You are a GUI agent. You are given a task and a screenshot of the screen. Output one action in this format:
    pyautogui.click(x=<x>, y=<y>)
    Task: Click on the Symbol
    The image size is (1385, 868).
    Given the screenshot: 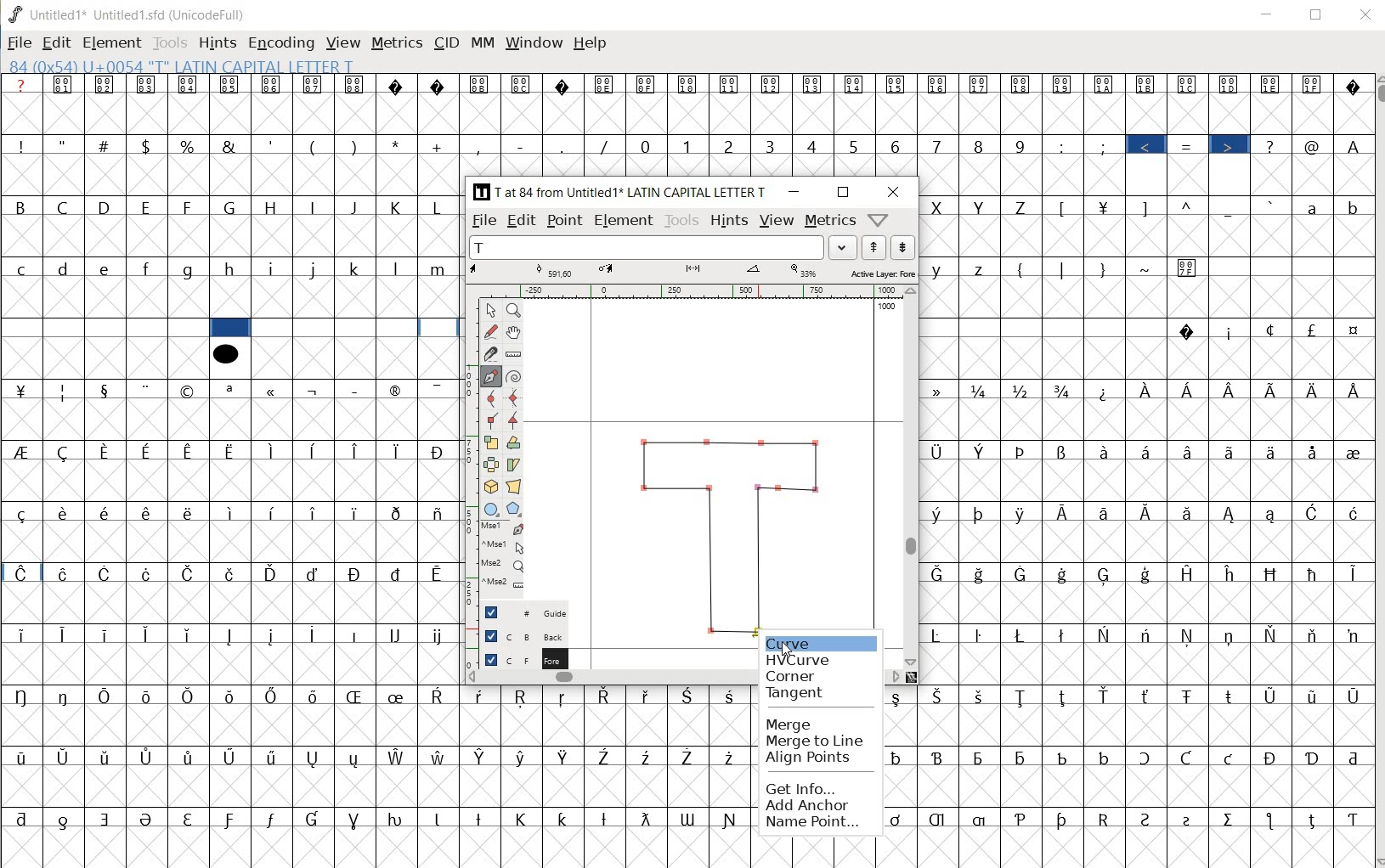 What is the action you would take?
    pyautogui.click(x=315, y=513)
    